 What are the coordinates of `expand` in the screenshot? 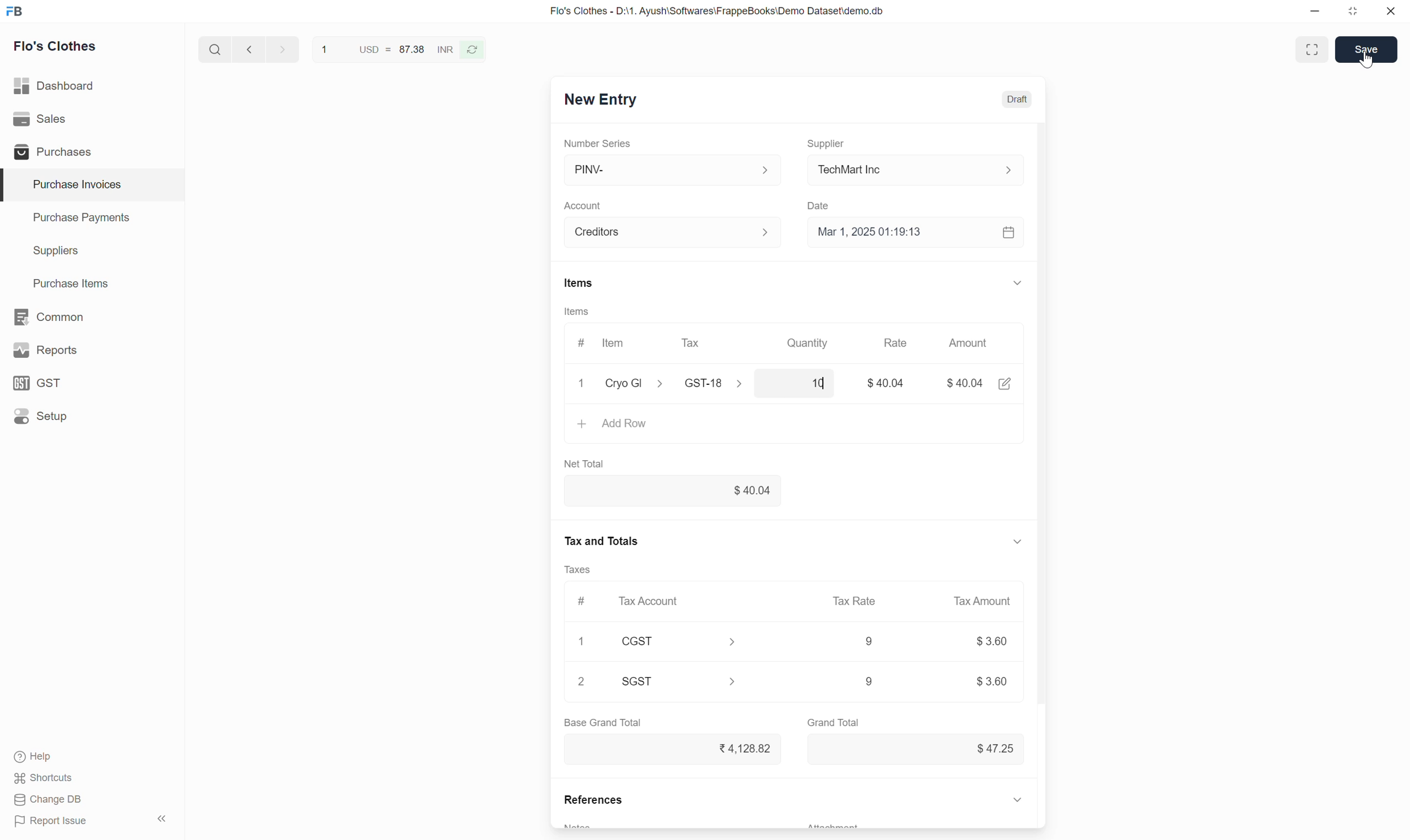 It's located at (1019, 799).